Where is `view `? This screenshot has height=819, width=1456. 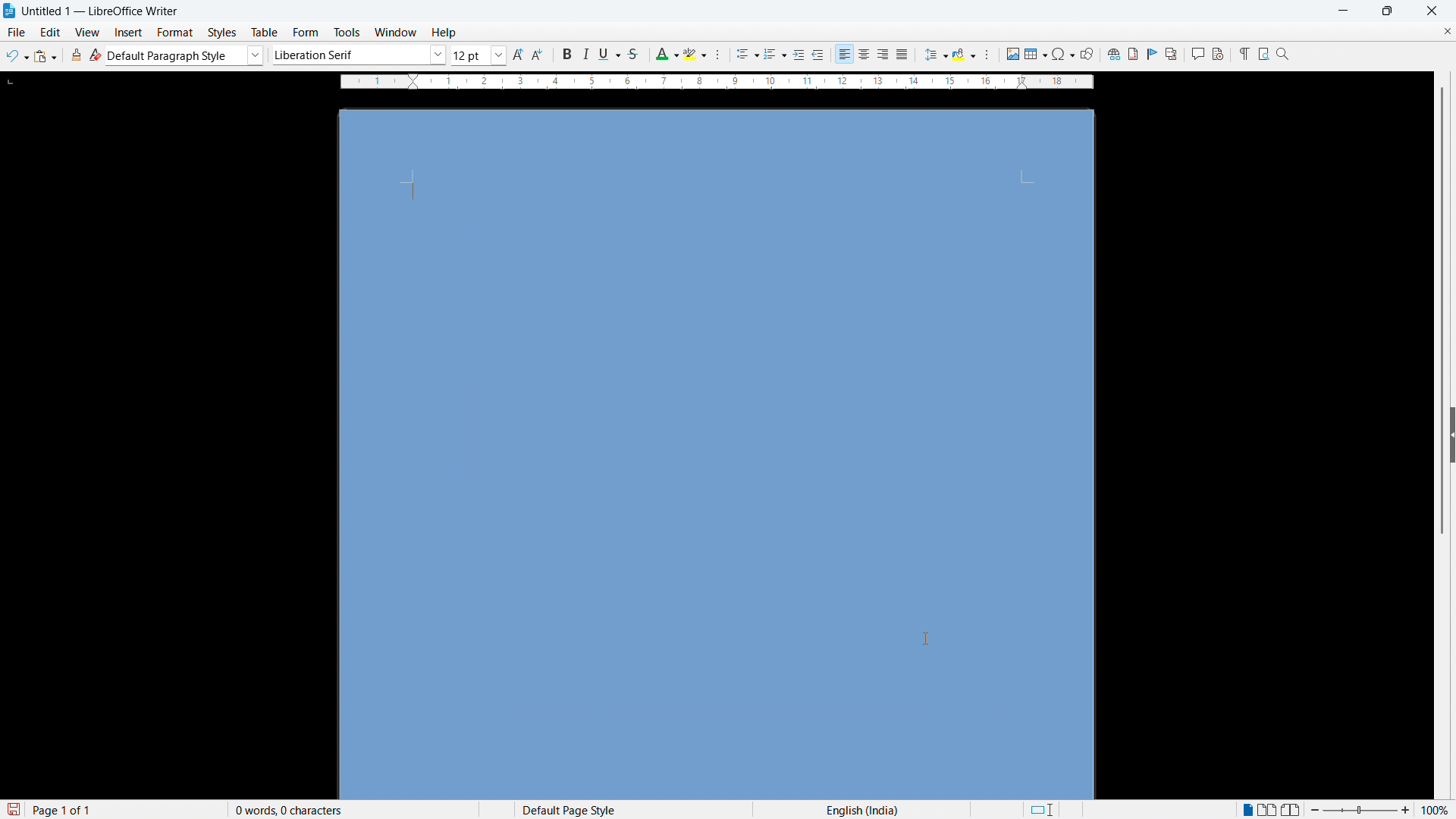
view  is located at coordinates (88, 33).